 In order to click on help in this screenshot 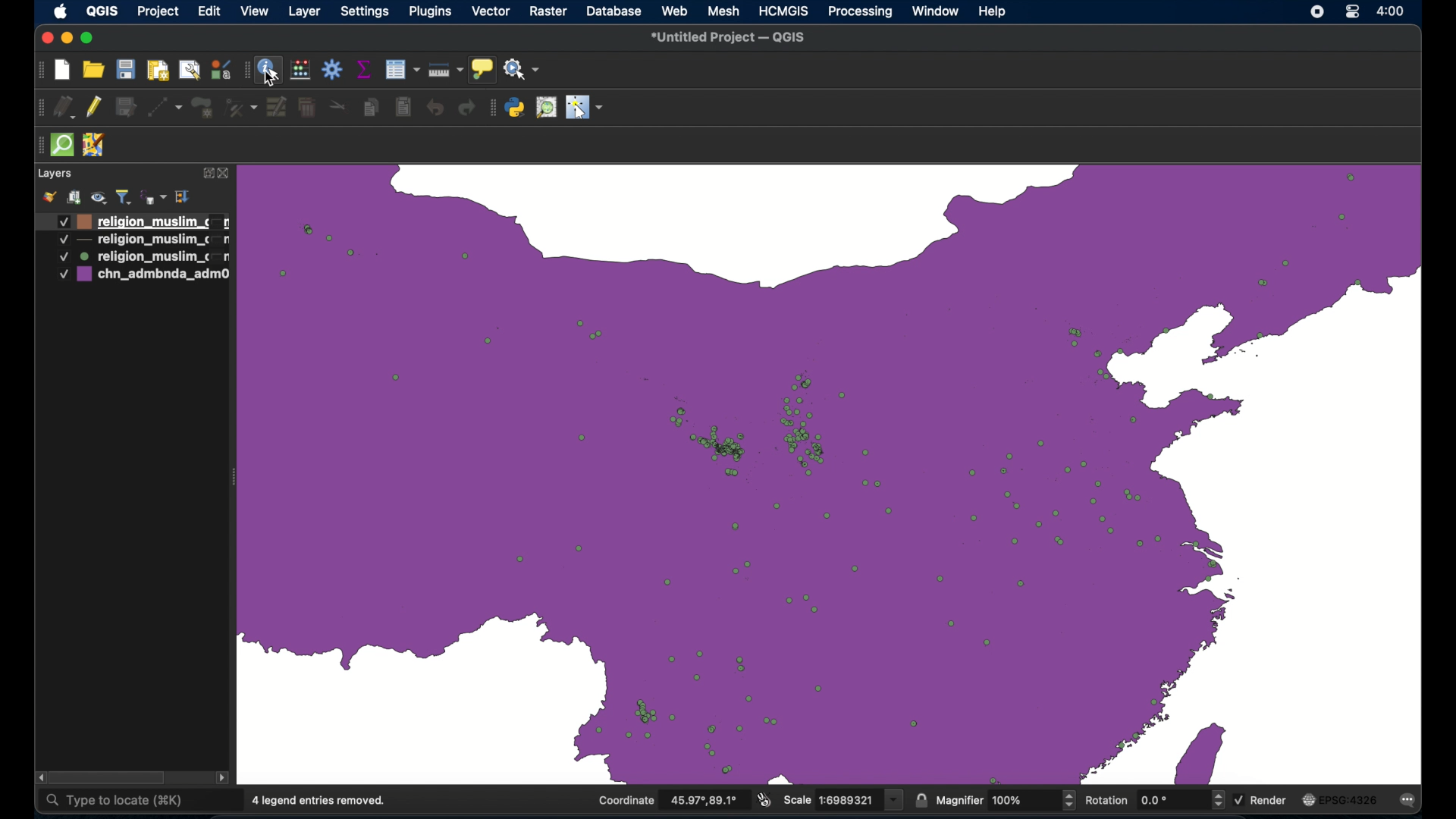, I will do `click(993, 11)`.